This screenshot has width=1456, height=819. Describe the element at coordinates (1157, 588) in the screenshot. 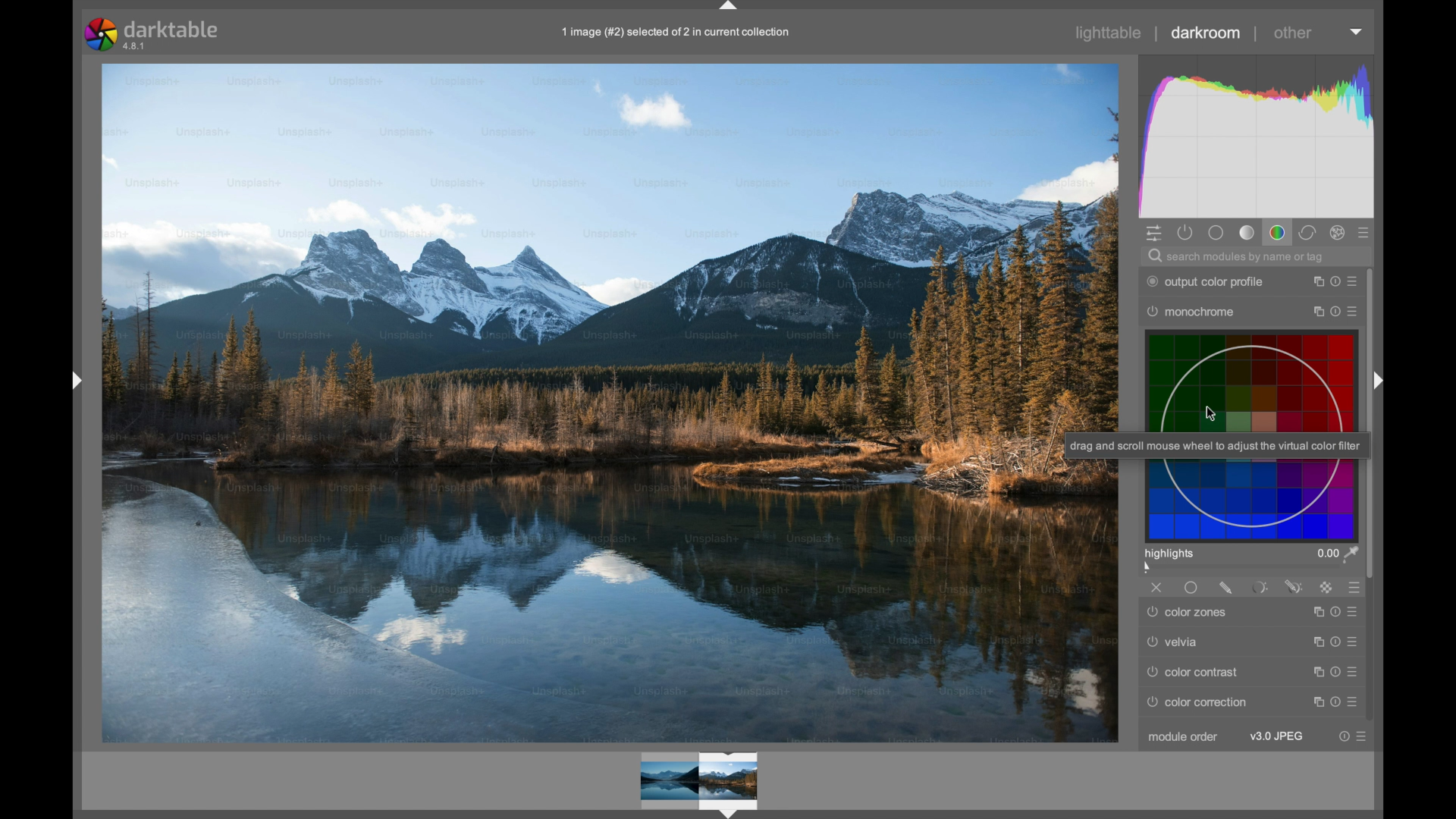

I see `off` at that location.